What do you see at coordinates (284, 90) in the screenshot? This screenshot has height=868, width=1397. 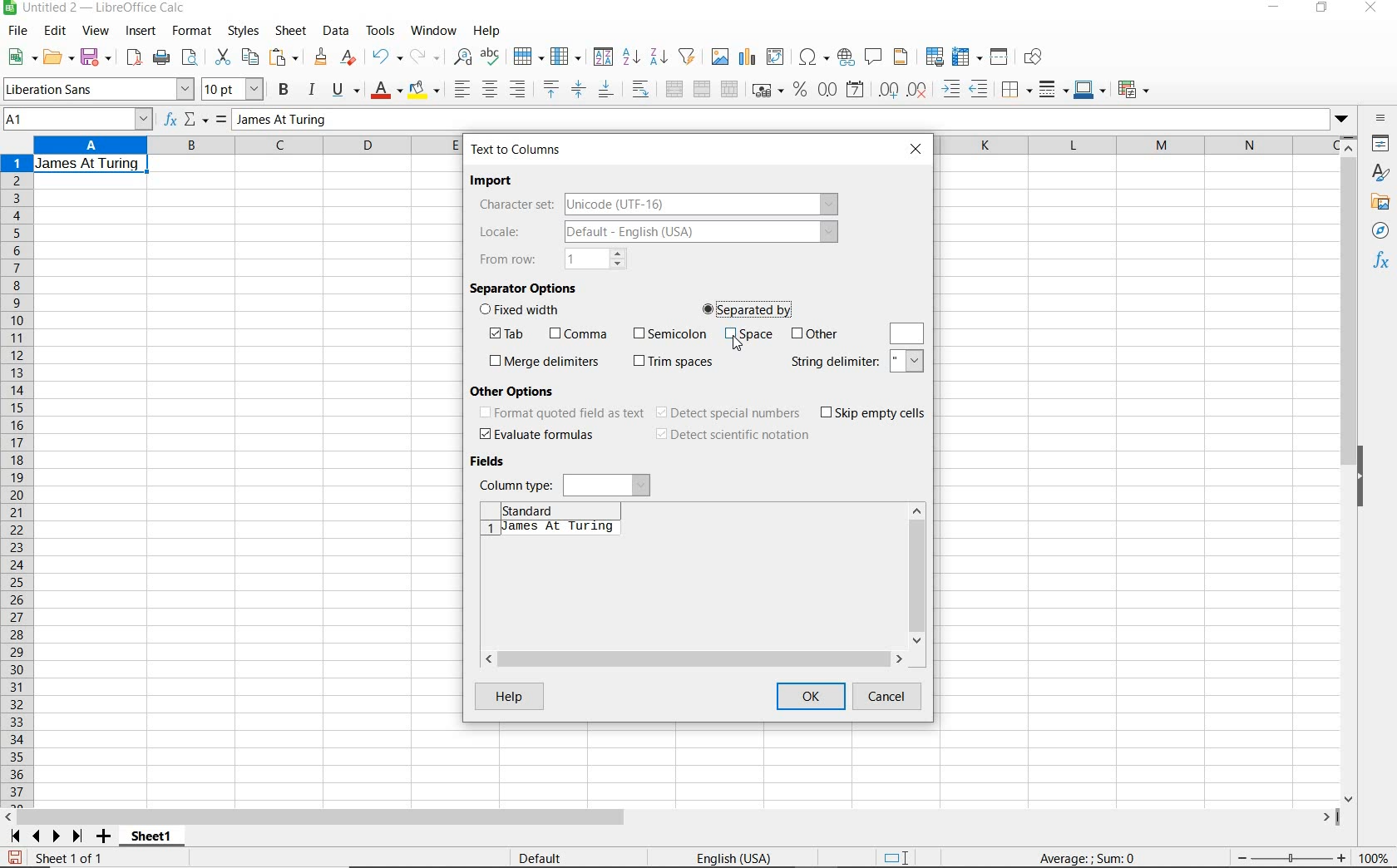 I see `bold` at bounding box center [284, 90].